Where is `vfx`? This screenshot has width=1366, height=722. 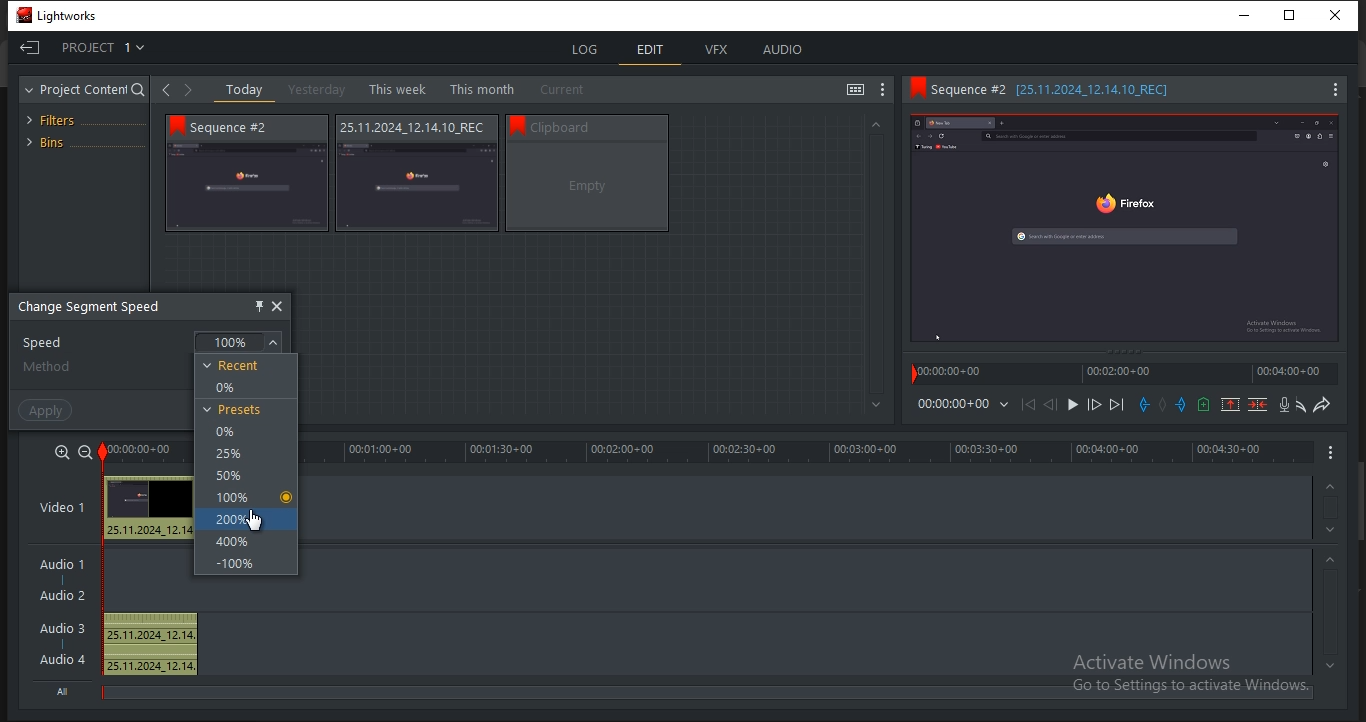 vfx is located at coordinates (718, 51).